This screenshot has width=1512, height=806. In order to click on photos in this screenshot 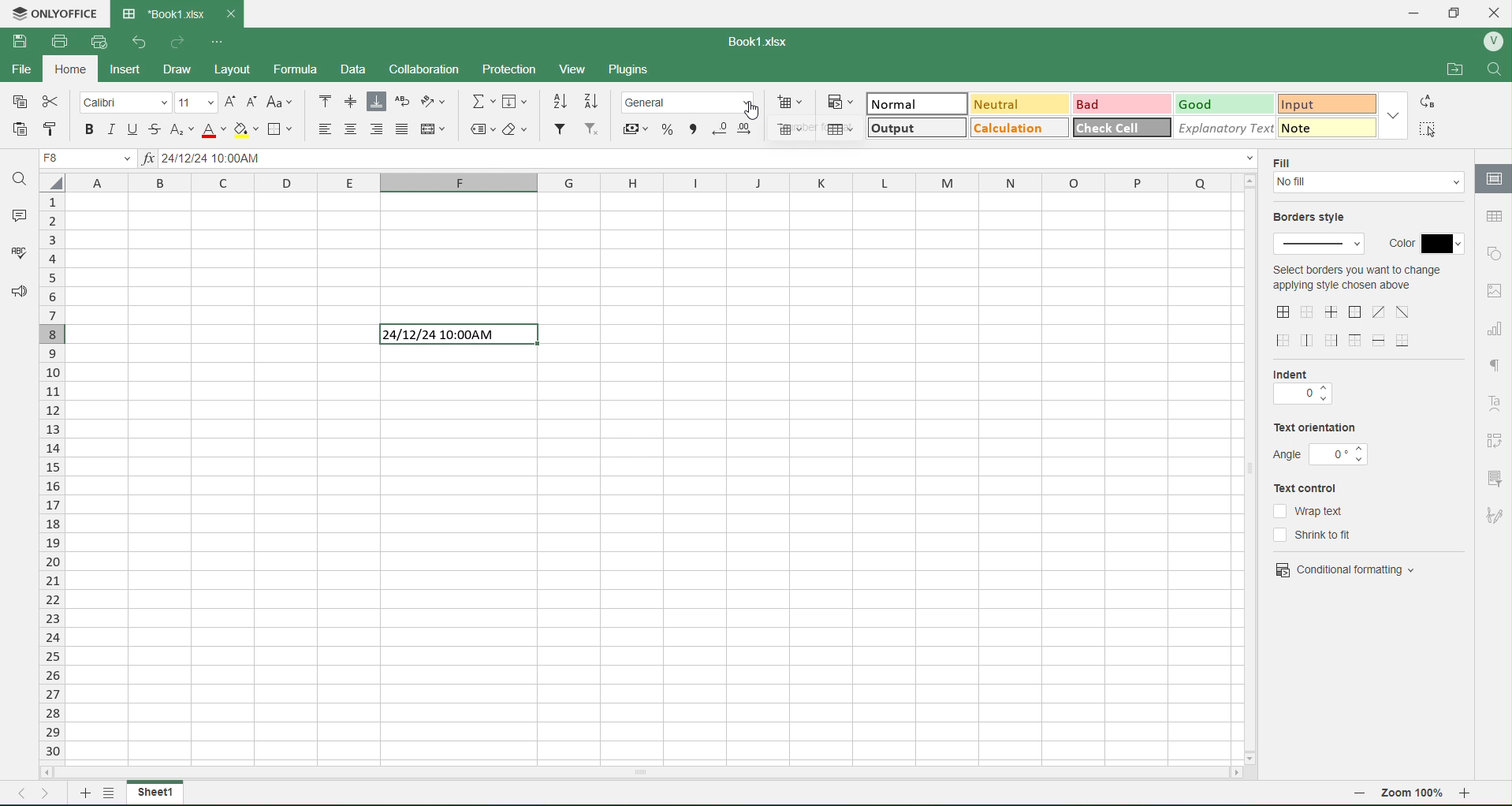, I will do `click(1495, 291)`.